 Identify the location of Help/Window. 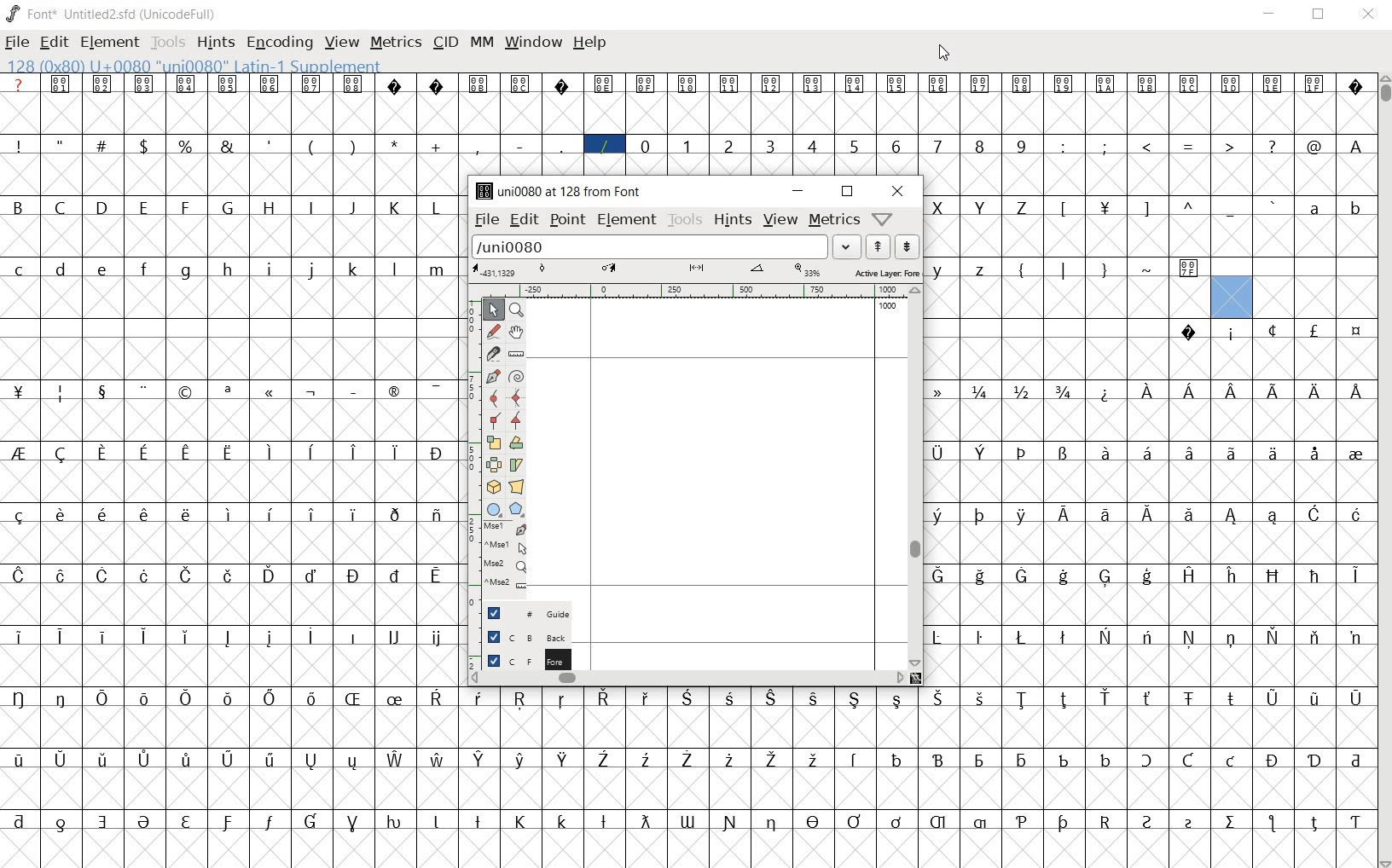
(884, 217).